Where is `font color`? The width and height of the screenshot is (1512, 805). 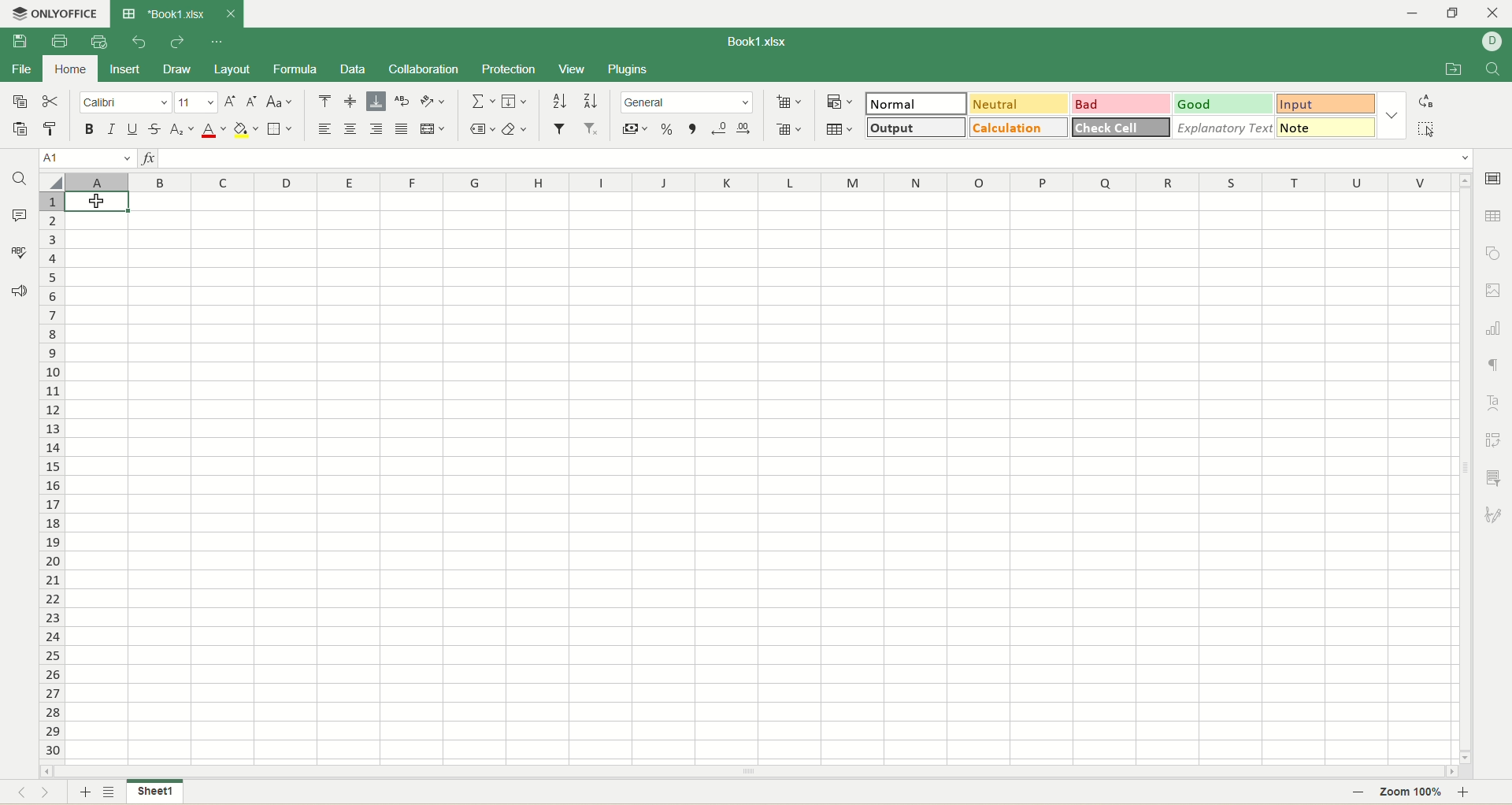
font color is located at coordinates (213, 131).